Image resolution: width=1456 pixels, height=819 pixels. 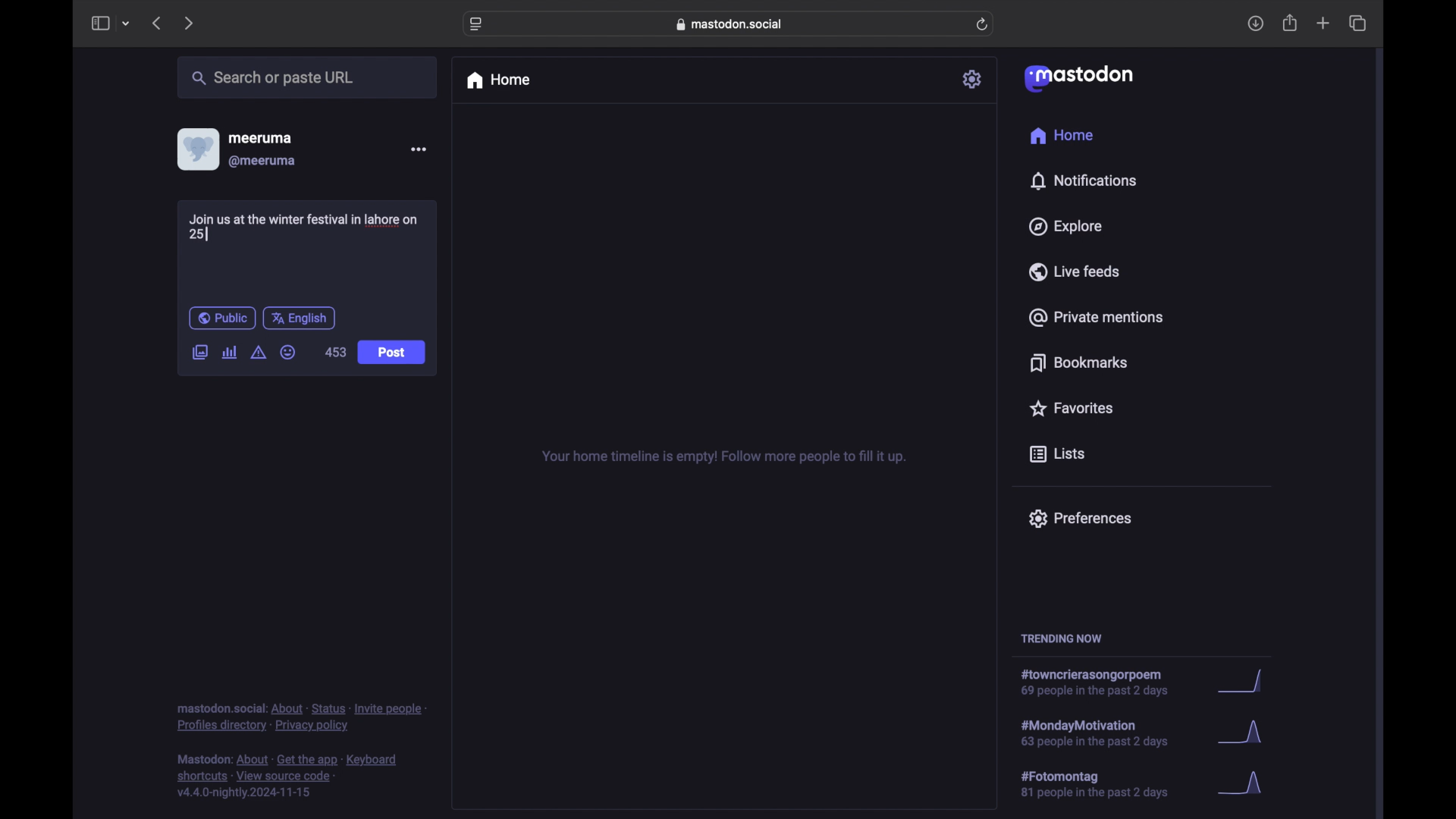 What do you see at coordinates (419, 149) in the screenshot?
I see `more options` at bounding box center [419, 149].